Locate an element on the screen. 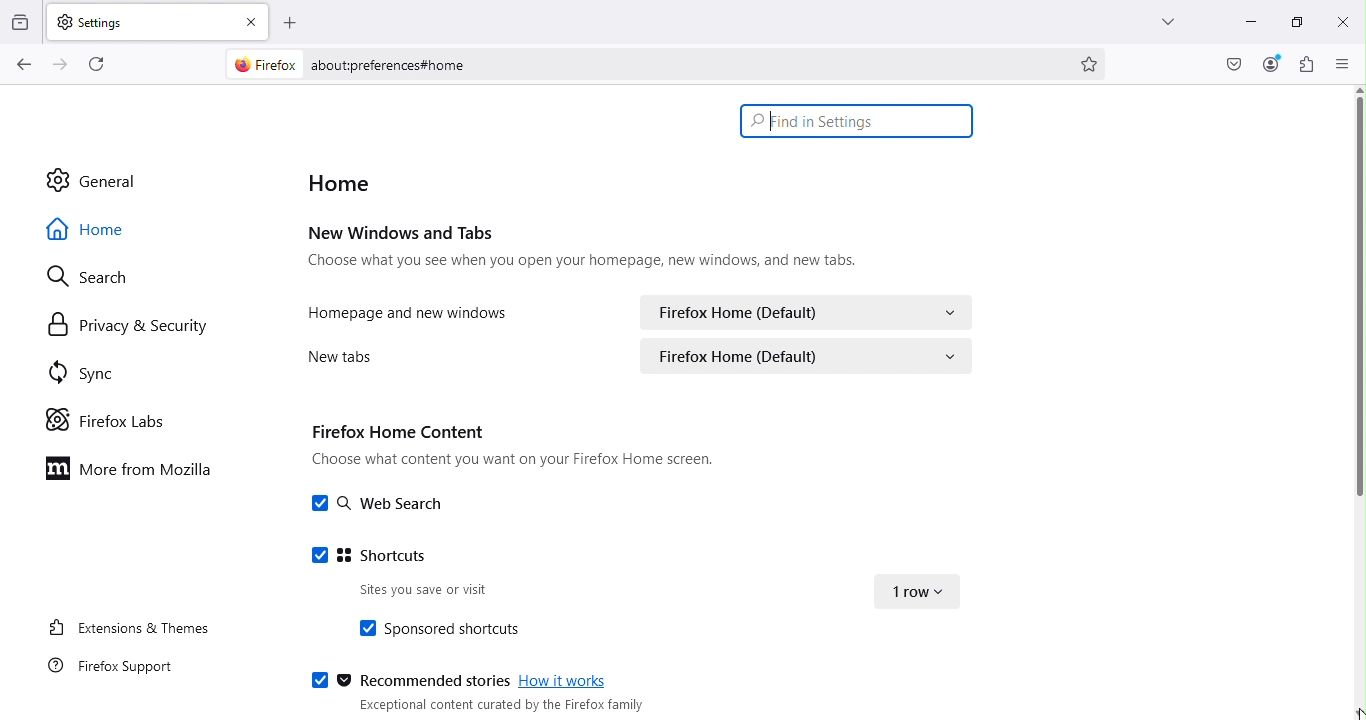  Firefox home (Default) is located at coordinates (811, 356).